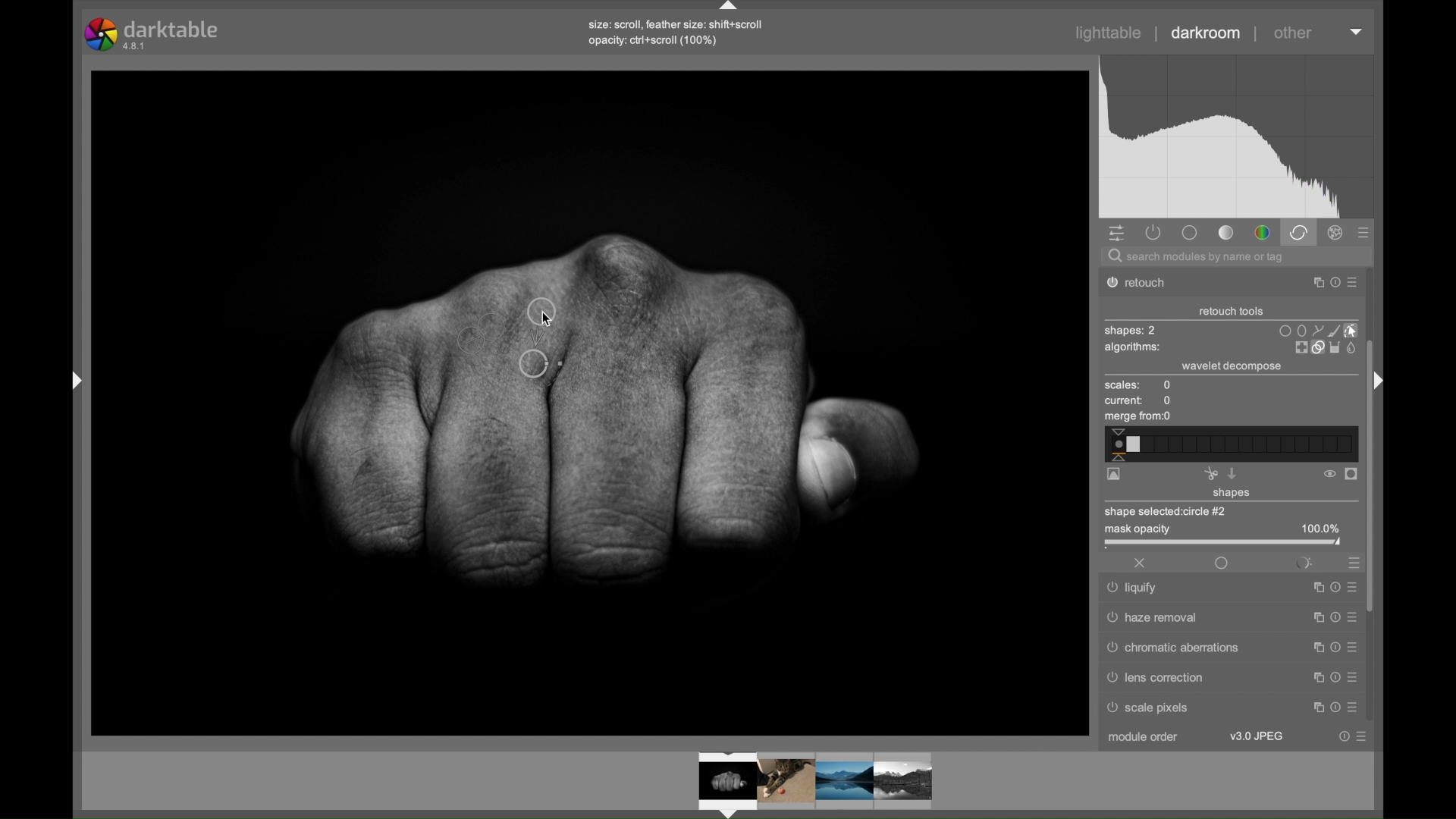 This screenshot has width=1456, height=819. I want to click on help, so click(1332, 676).